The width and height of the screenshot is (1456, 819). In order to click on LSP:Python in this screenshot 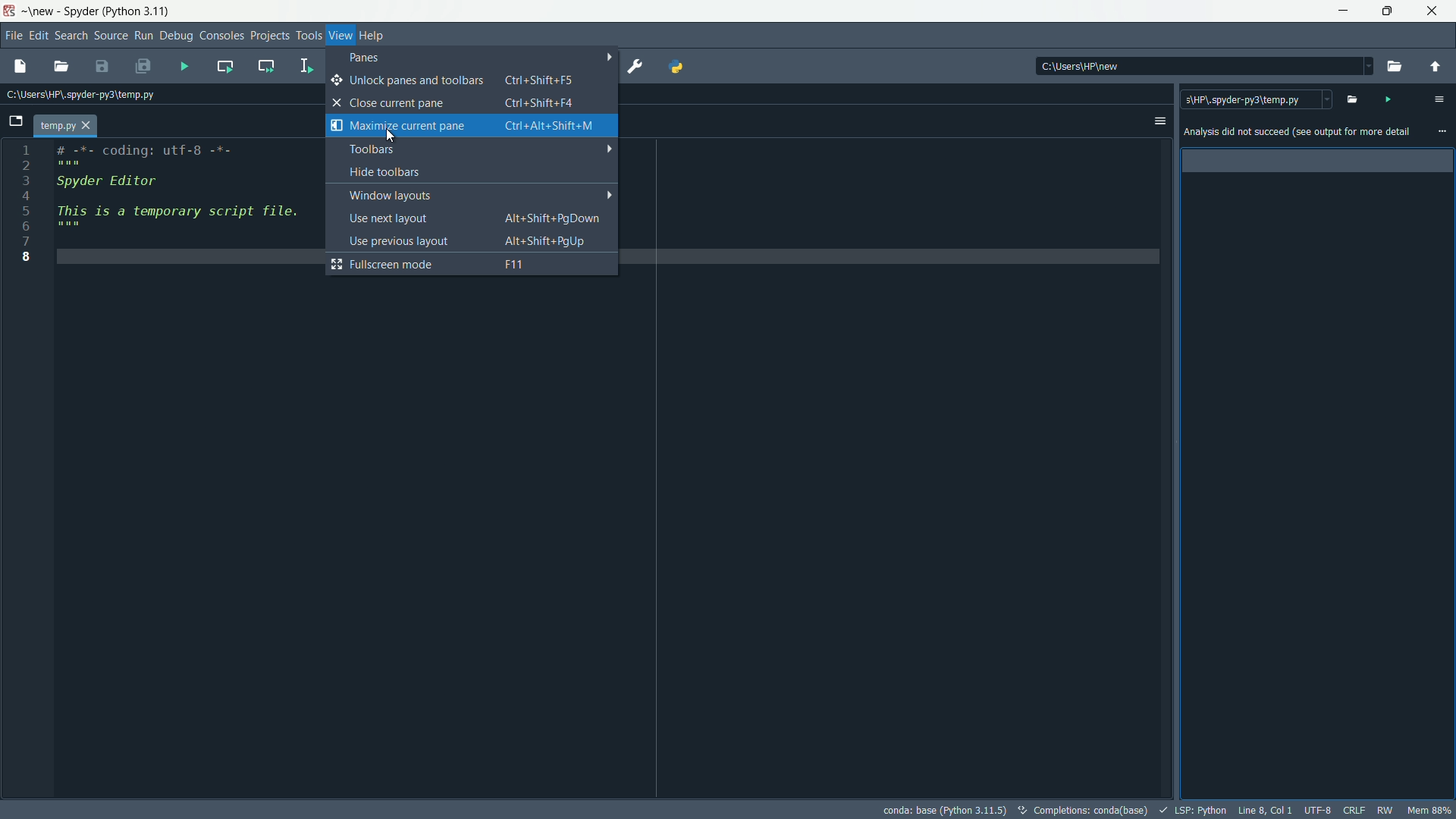, I will do `click(1192, 809)`.